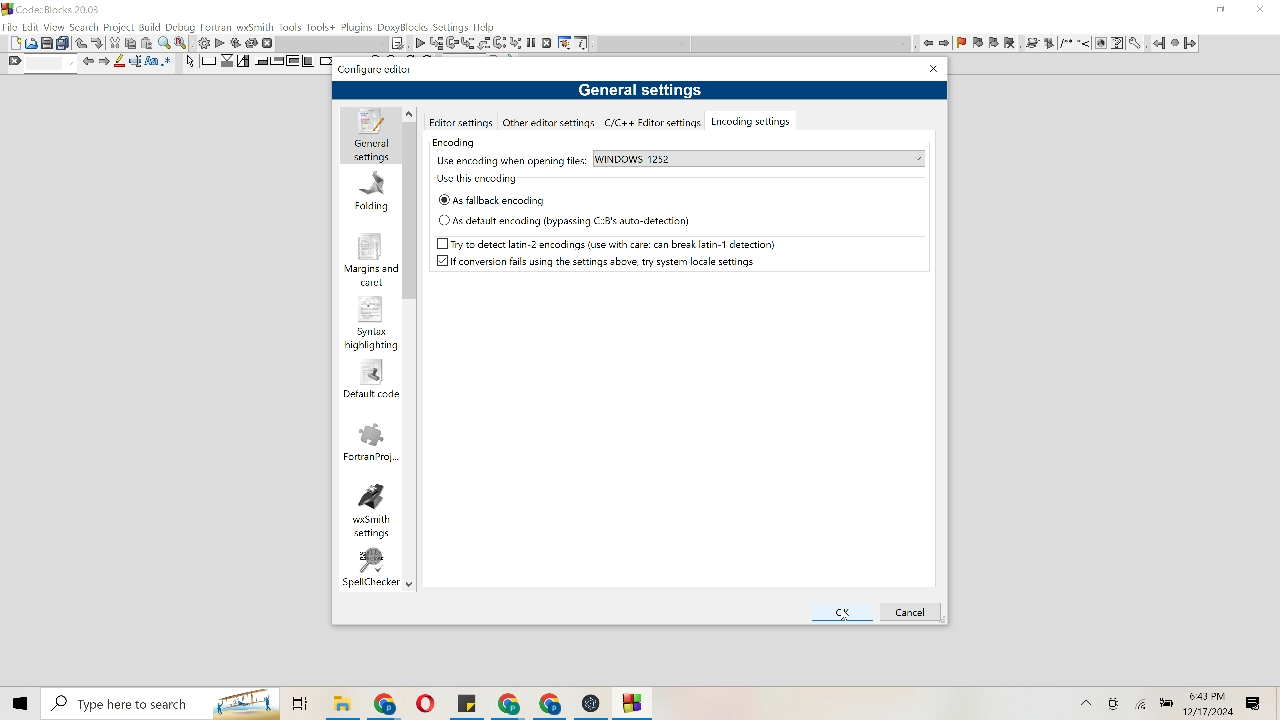 The height and width of the screenshot is (720, 1280). Describe the element at coordinates (19, 702) in the screenshot. I see `Windows` at that location.